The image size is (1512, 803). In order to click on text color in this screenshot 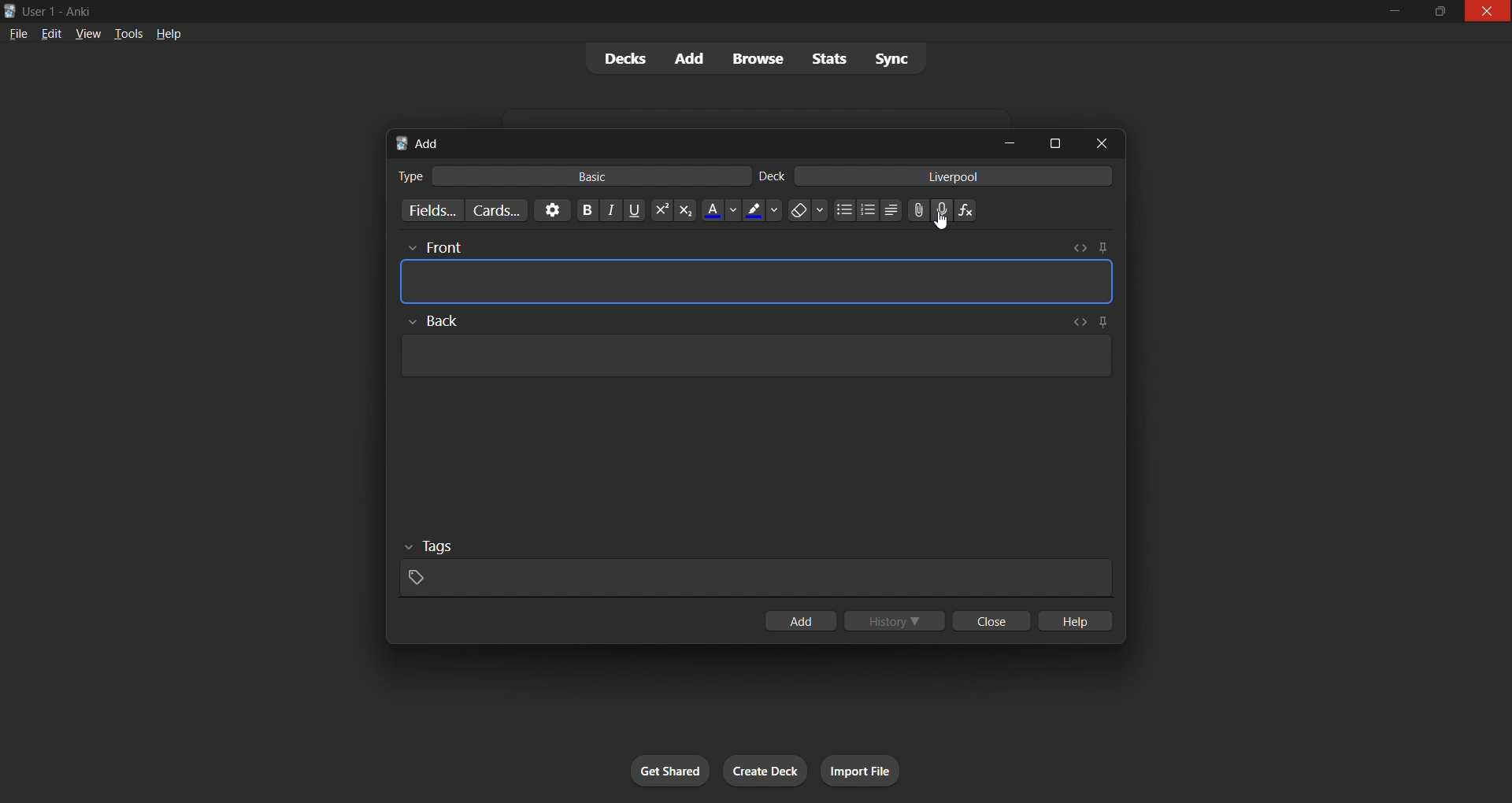, I will do `click(719, 210)`.